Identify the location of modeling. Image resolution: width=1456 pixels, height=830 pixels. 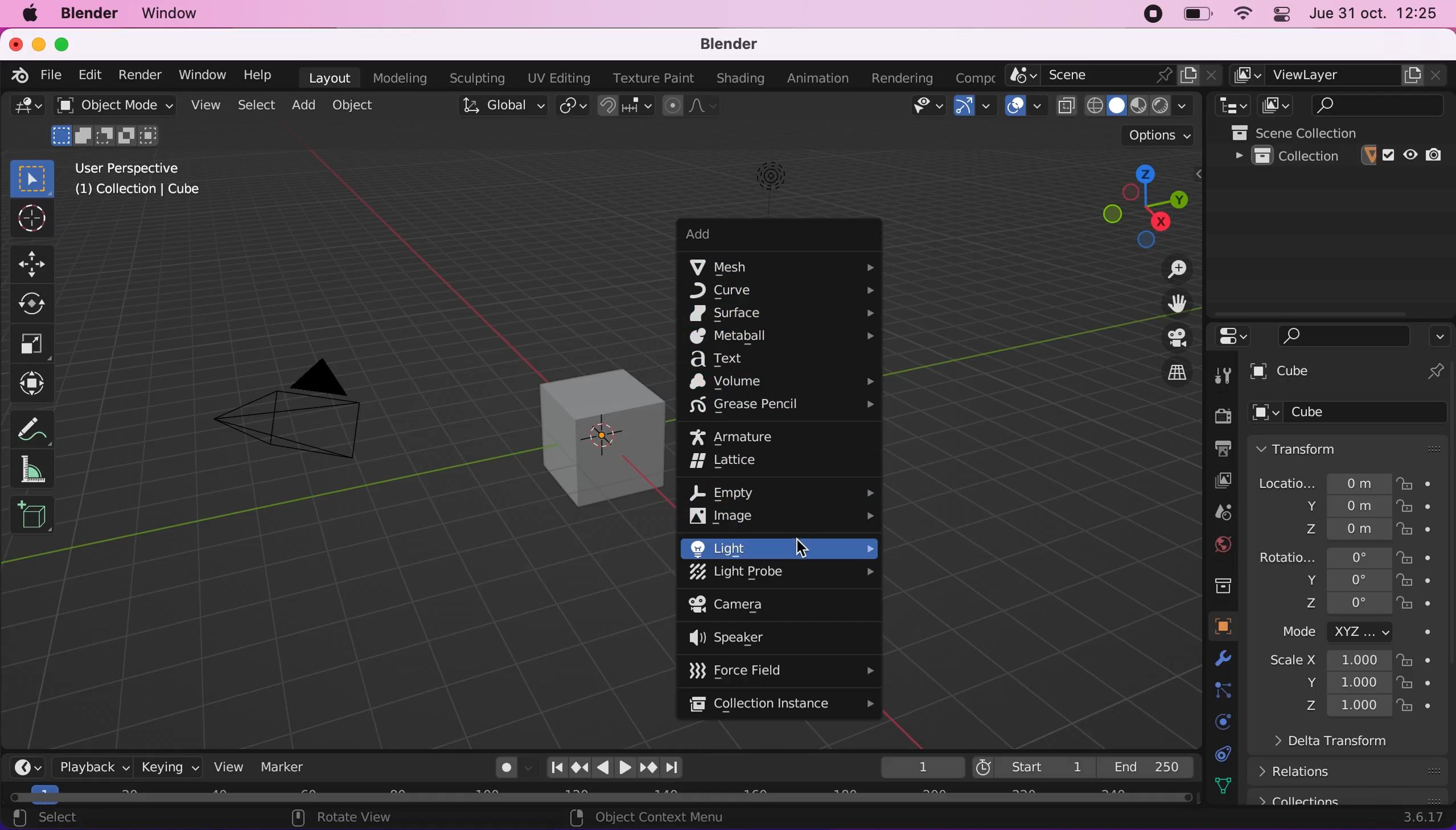
(397, 77).